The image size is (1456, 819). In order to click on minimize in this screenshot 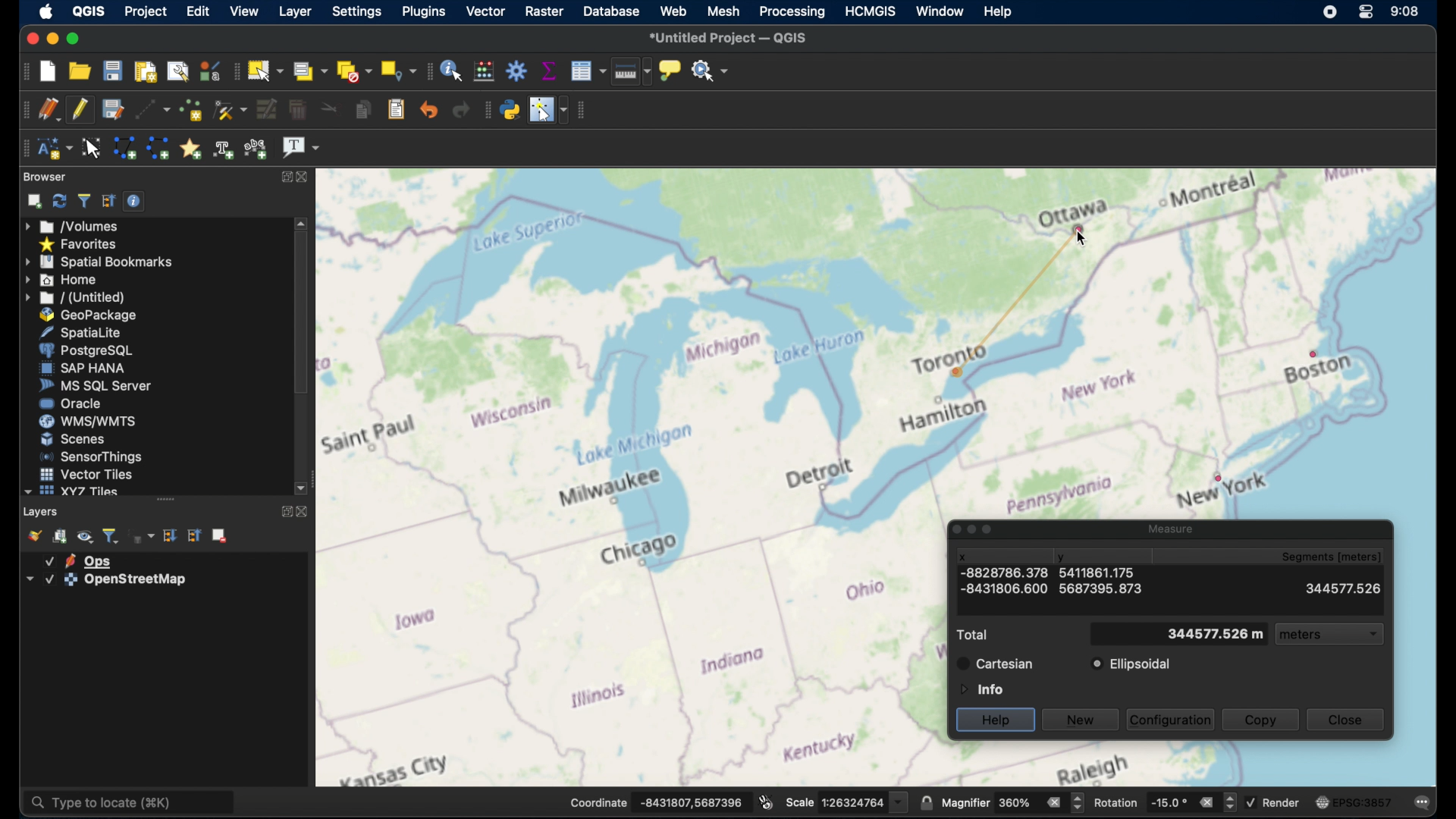, I will do `click(971, 530)`.